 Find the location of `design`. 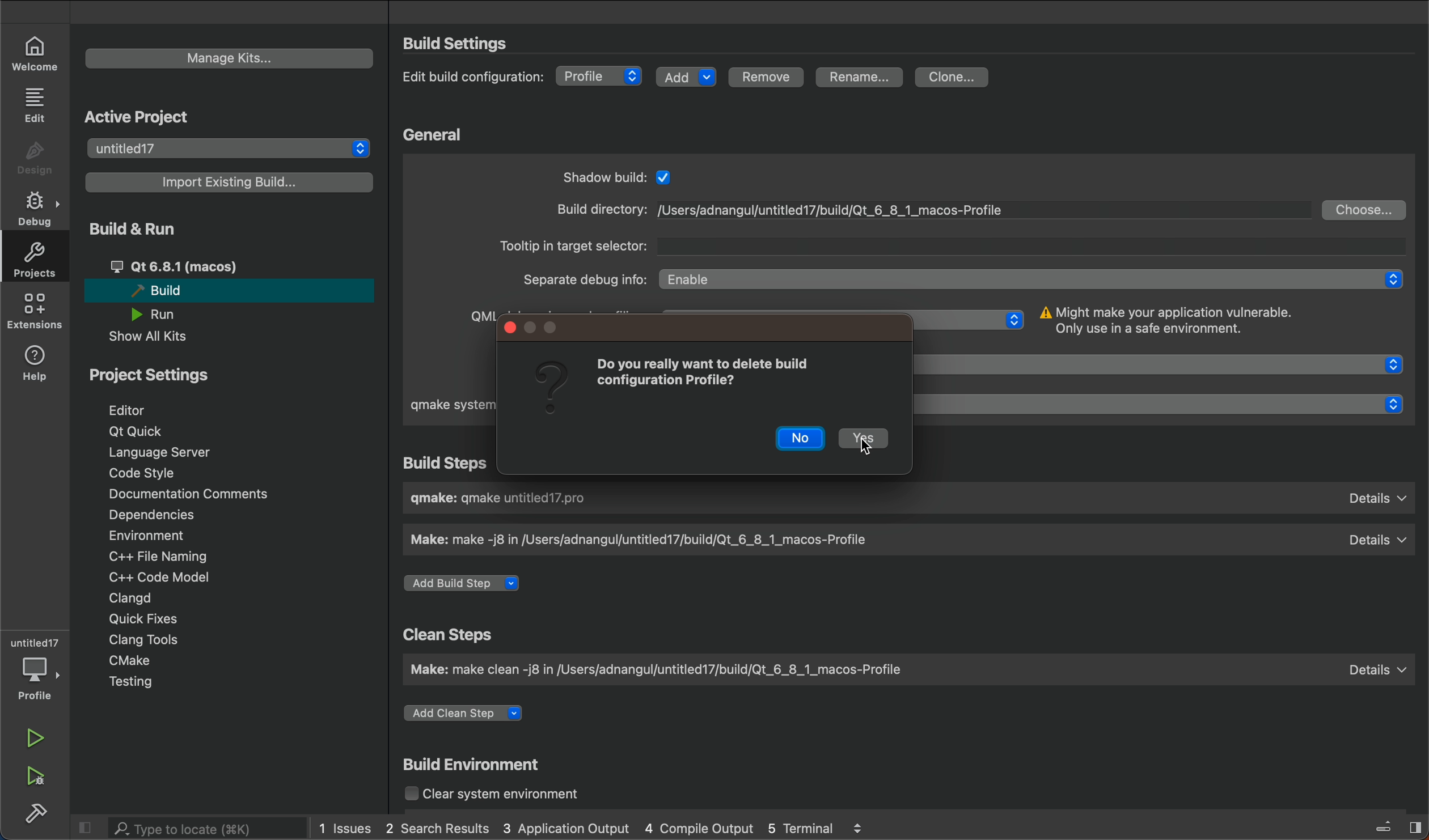

design is located at coordinates (32, 155).